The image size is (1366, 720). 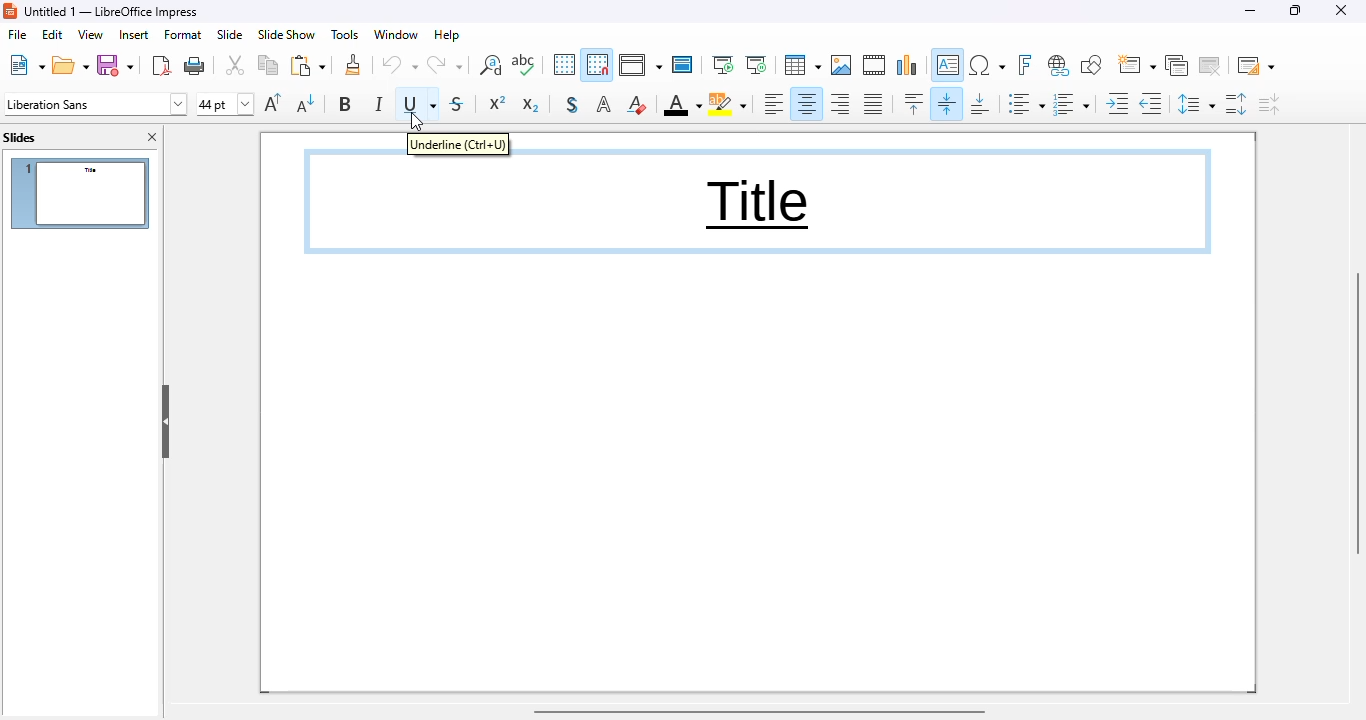 What do you see at coordinates (400, 64) in the screenshot?
I see `undo` at bounding box center [400, 64].